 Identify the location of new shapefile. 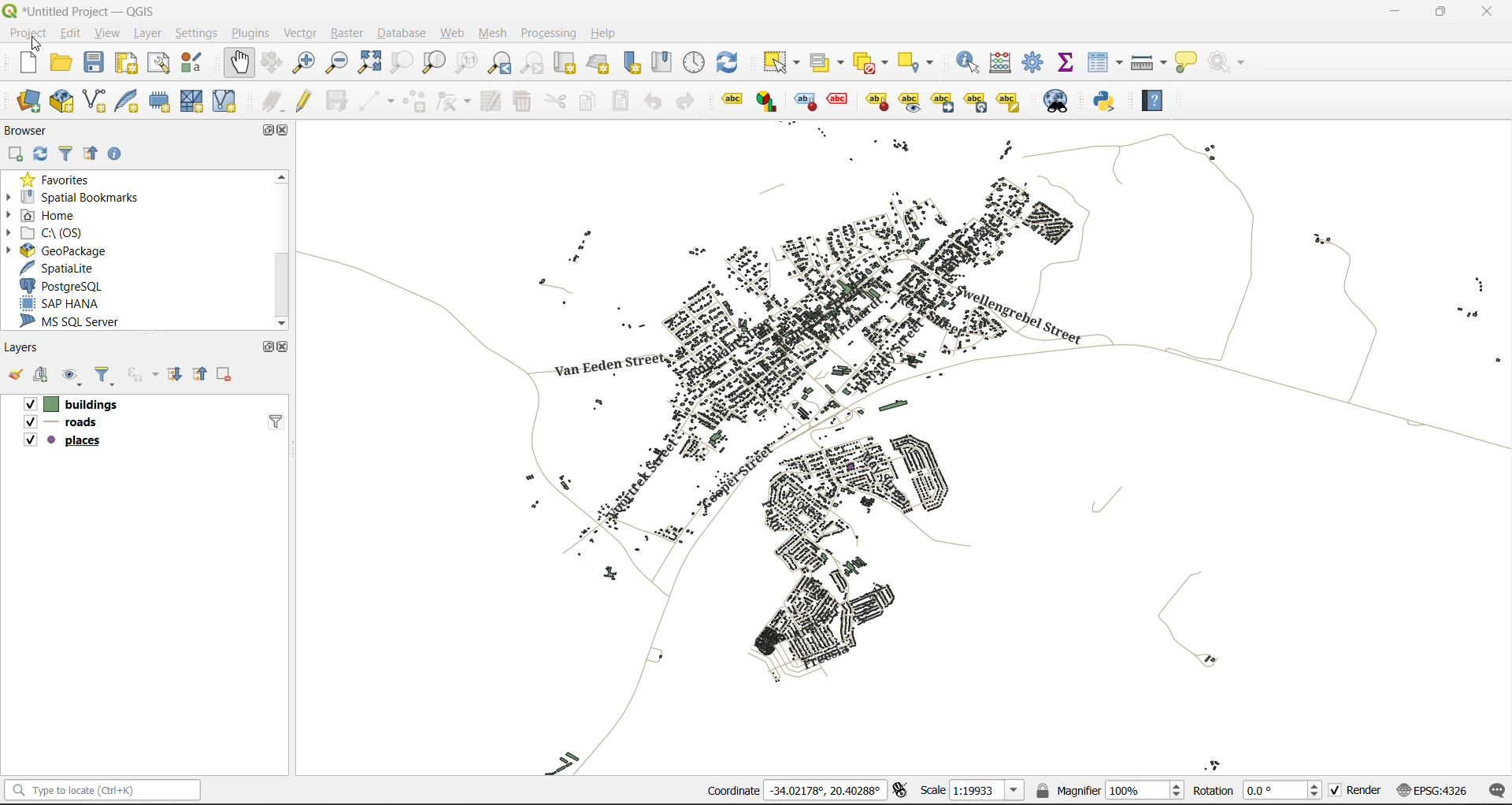
(94, 102).